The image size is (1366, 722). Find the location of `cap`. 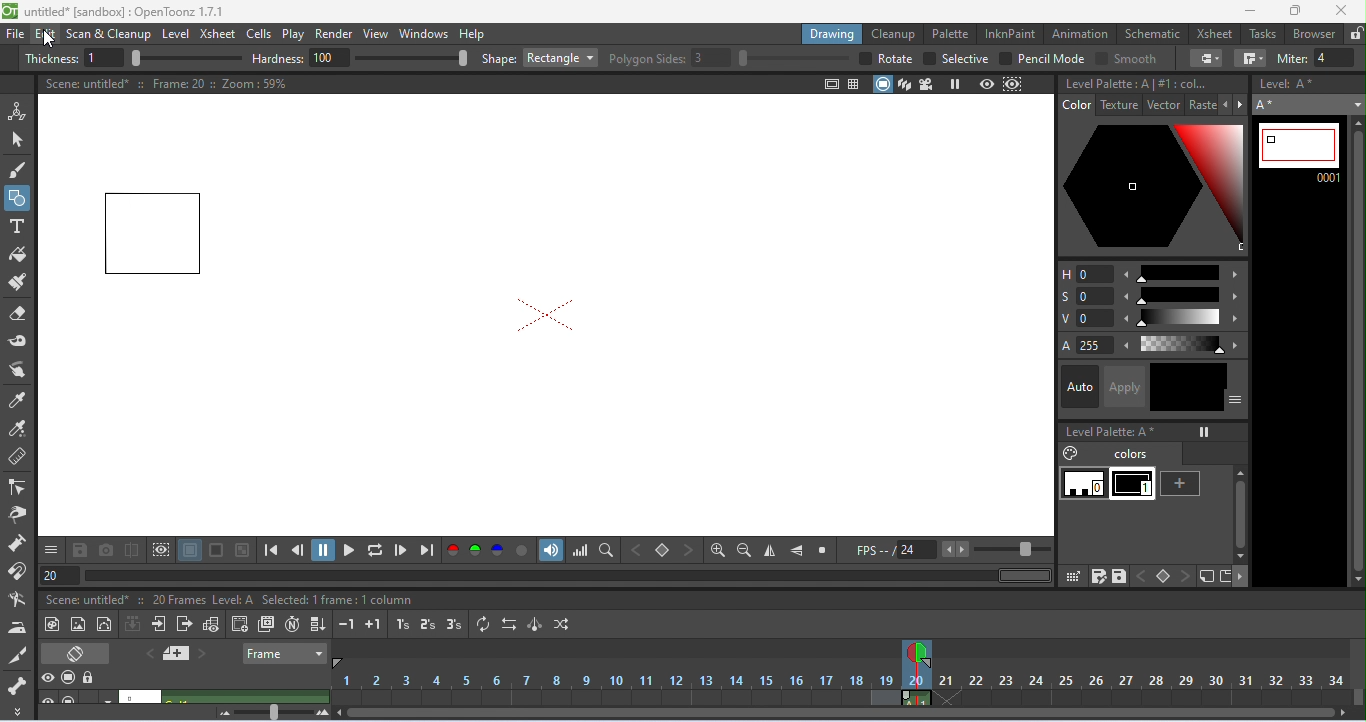

cap is located at coordinates (1205, 58).